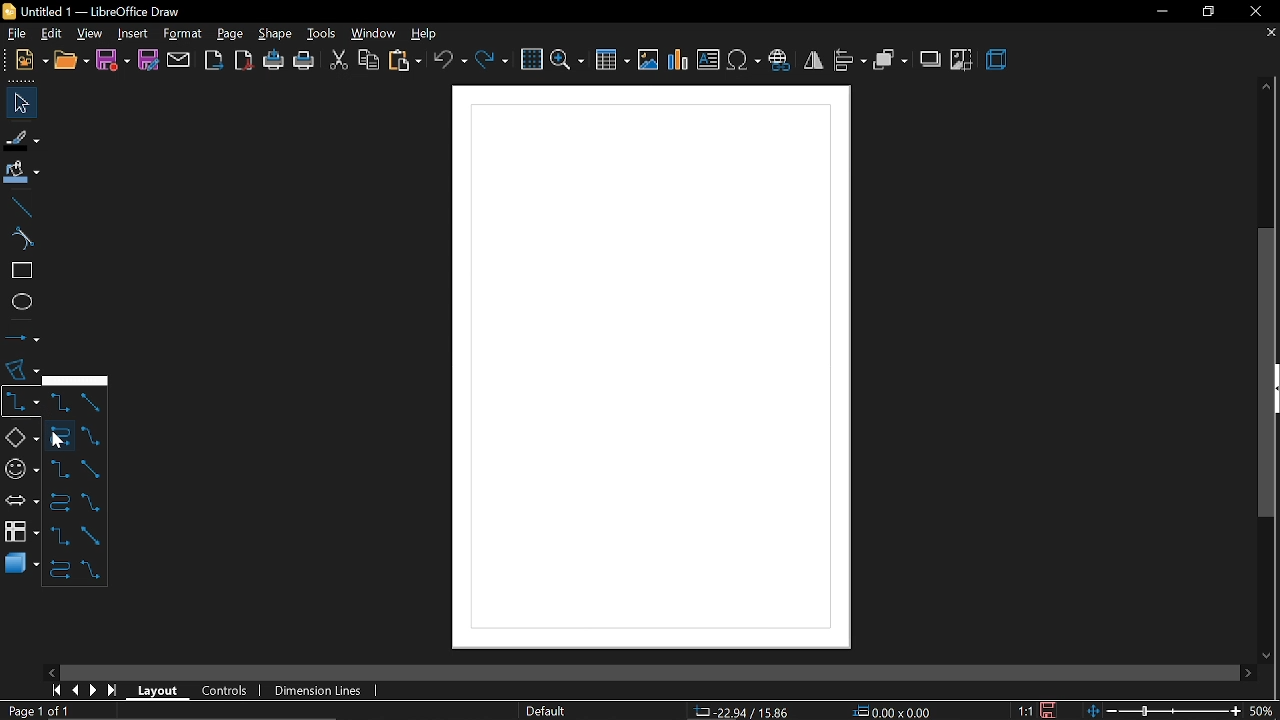 This screenshot has width=1280, height=720. What do you see at coordinates (743, 61) in the screenshot?
I see `Insert symbol` at bounding box center [743, 61].